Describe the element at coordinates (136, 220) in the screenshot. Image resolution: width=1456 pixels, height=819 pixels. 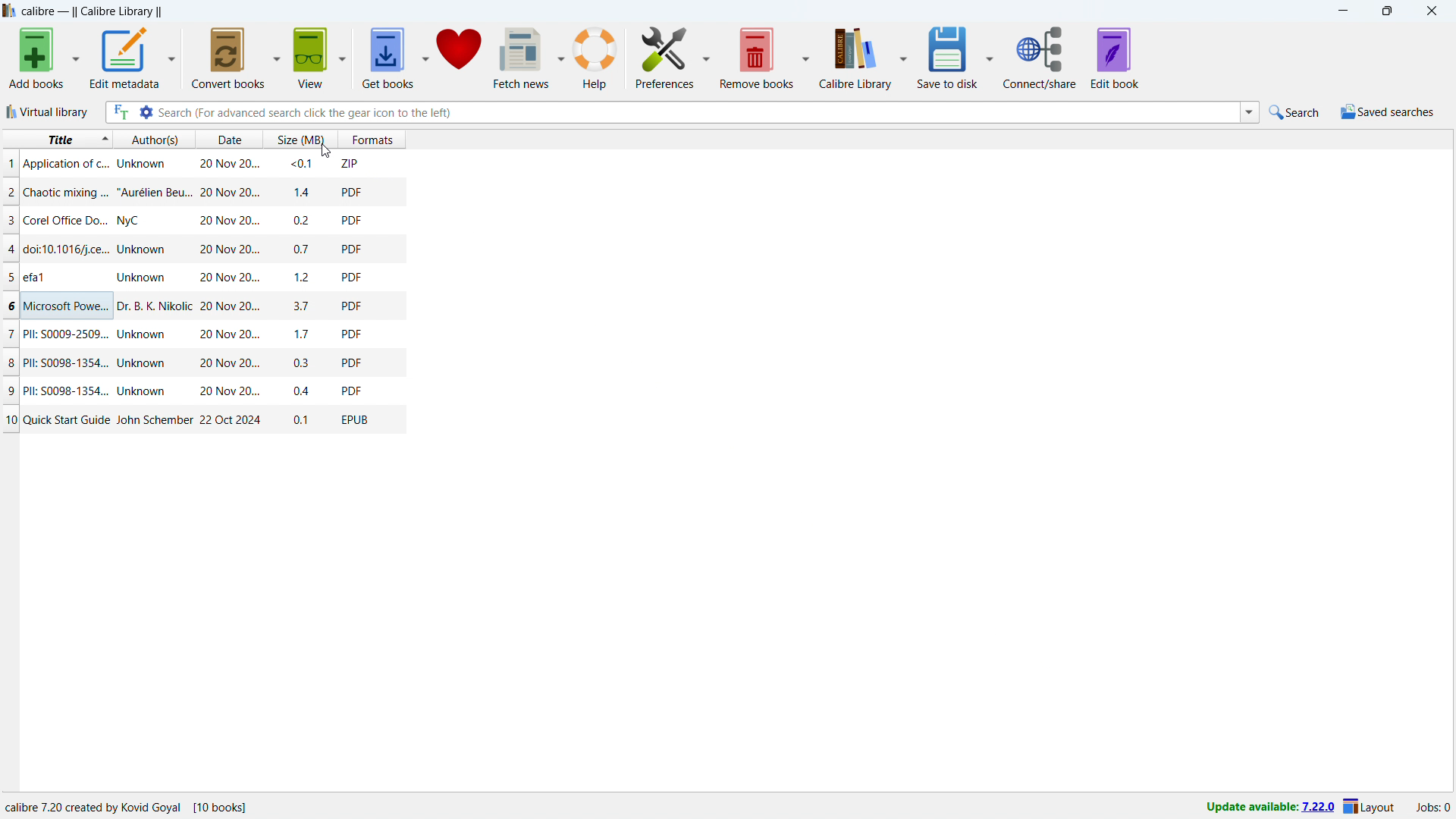
I see `author` at that location.